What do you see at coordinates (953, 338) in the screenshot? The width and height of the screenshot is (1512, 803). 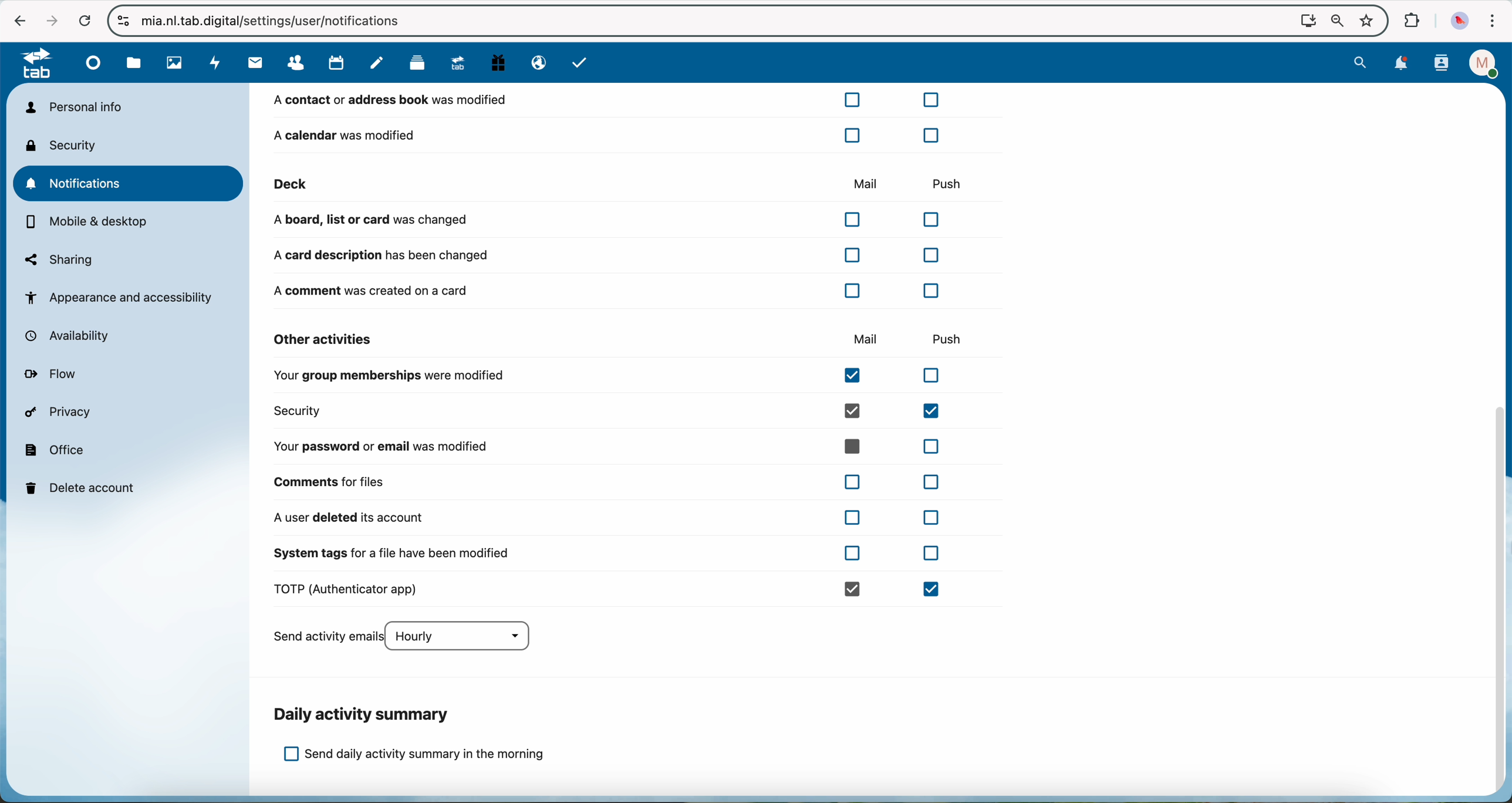 I see `push` at bounding box center [953, 338].